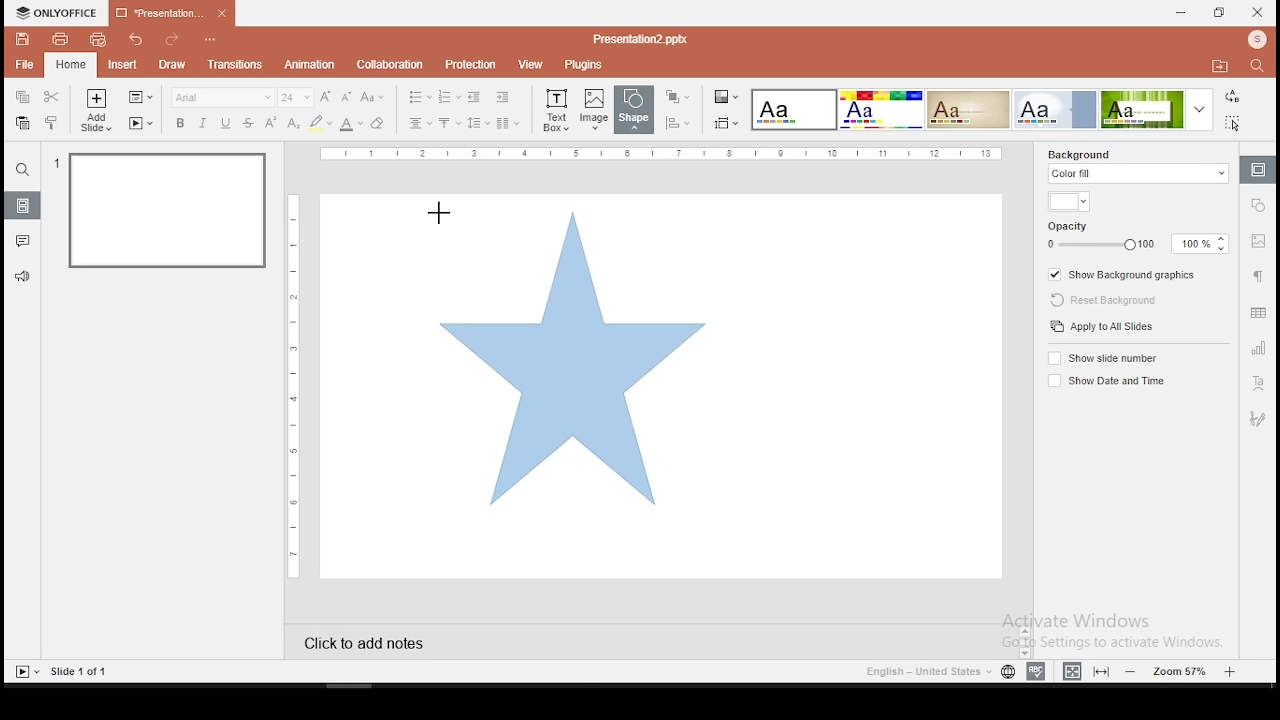 The width and height of the screenshot is (1280, 720). Describe the element at coordinates (1104, 326) in the screenshot. I see `apply to all slides` at that location.